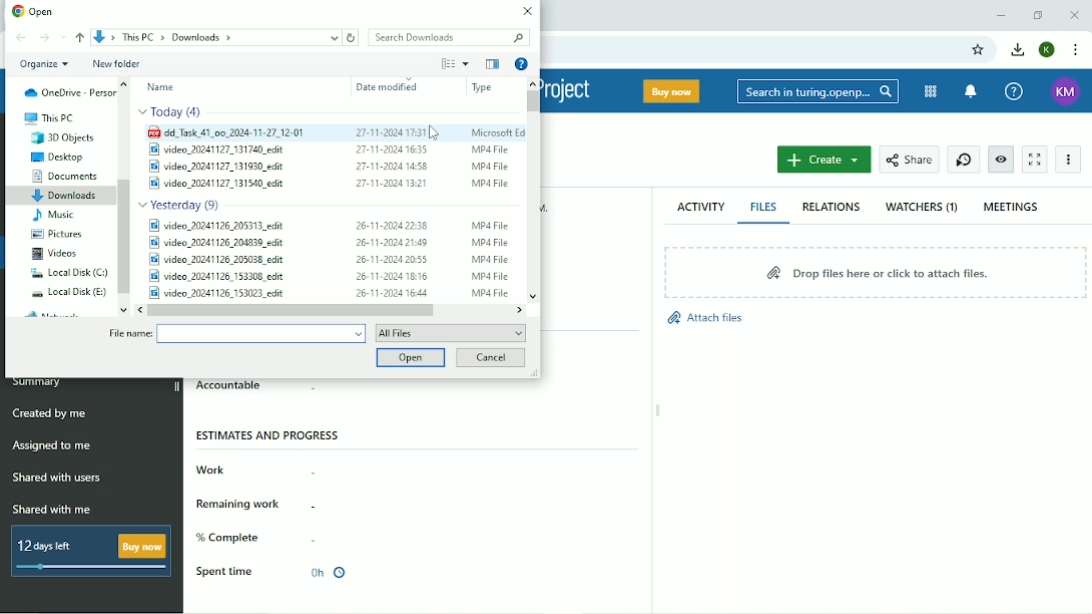  I want to click on Activate zen mode, so click(1035, 159).